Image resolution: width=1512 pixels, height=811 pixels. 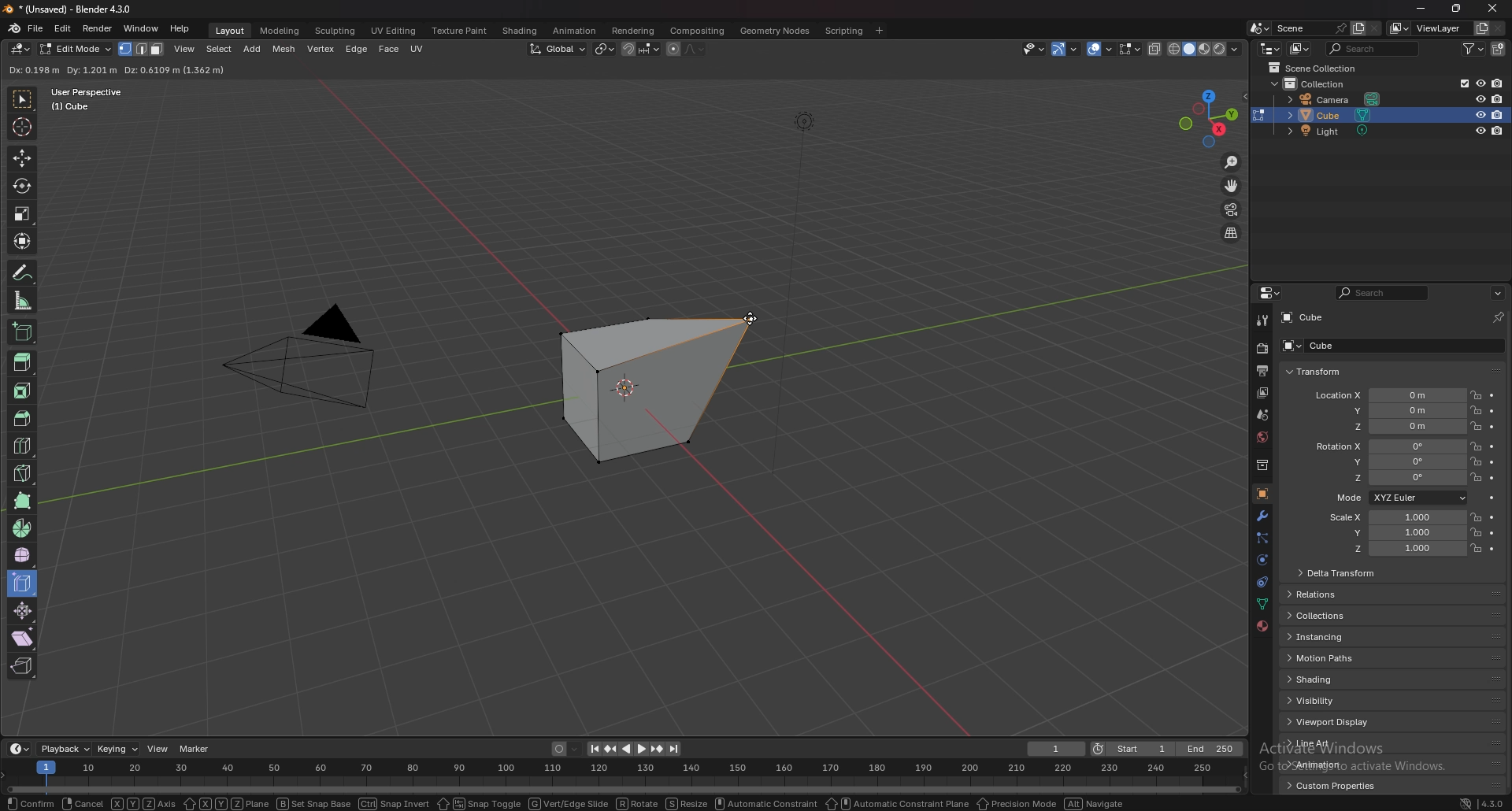 I want to click on enable mesh symmetry, so click(x=1137, y=70).